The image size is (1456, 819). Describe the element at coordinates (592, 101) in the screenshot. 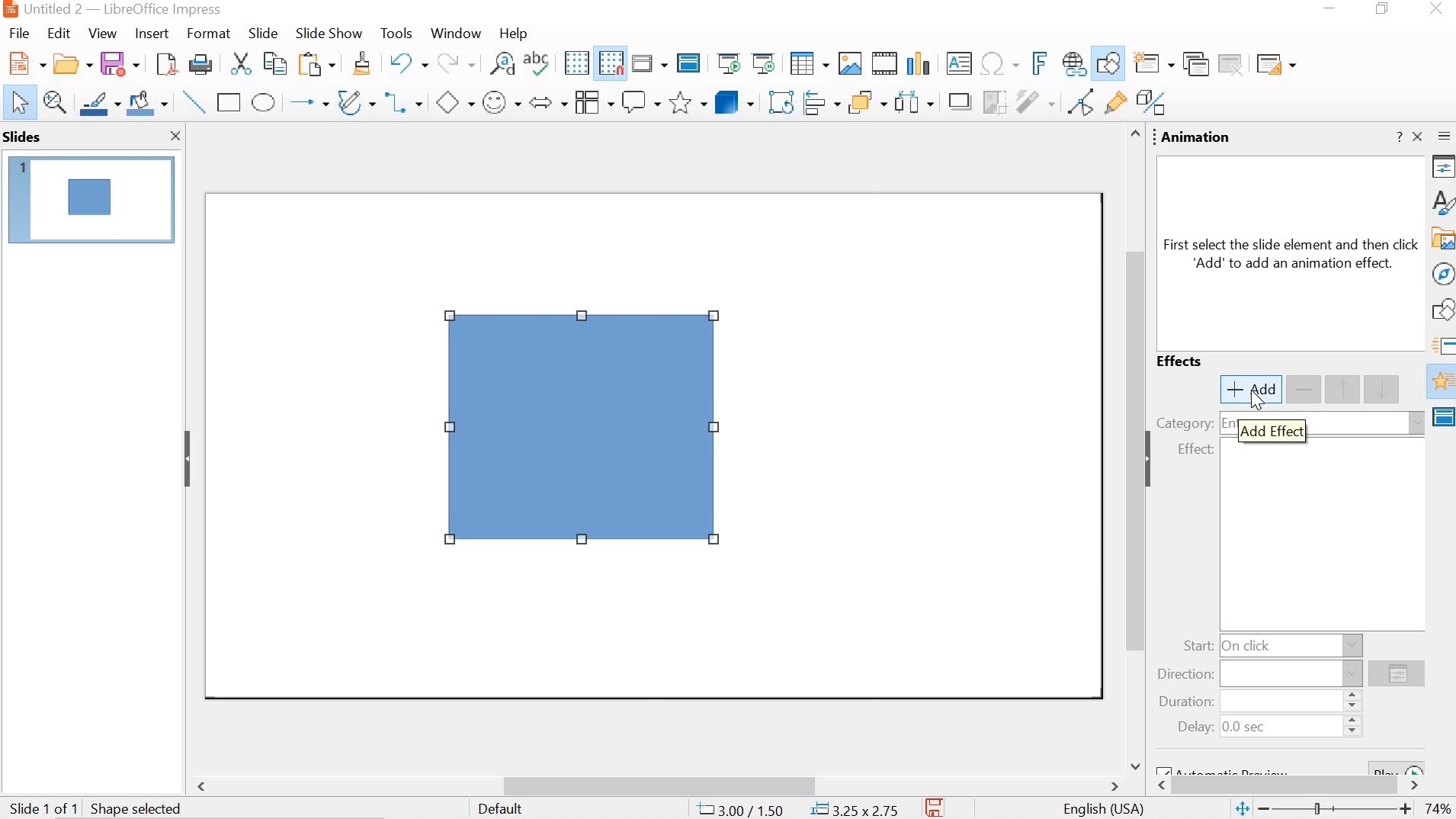

I see `` at that location.